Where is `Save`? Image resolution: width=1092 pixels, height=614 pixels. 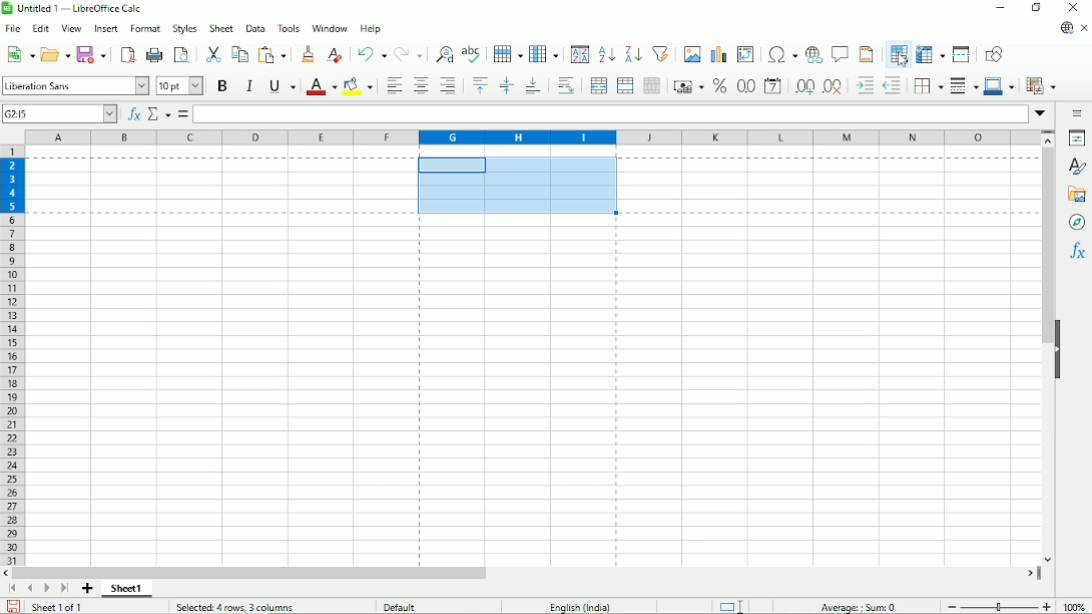
Save is located at coordinates (91, 55).